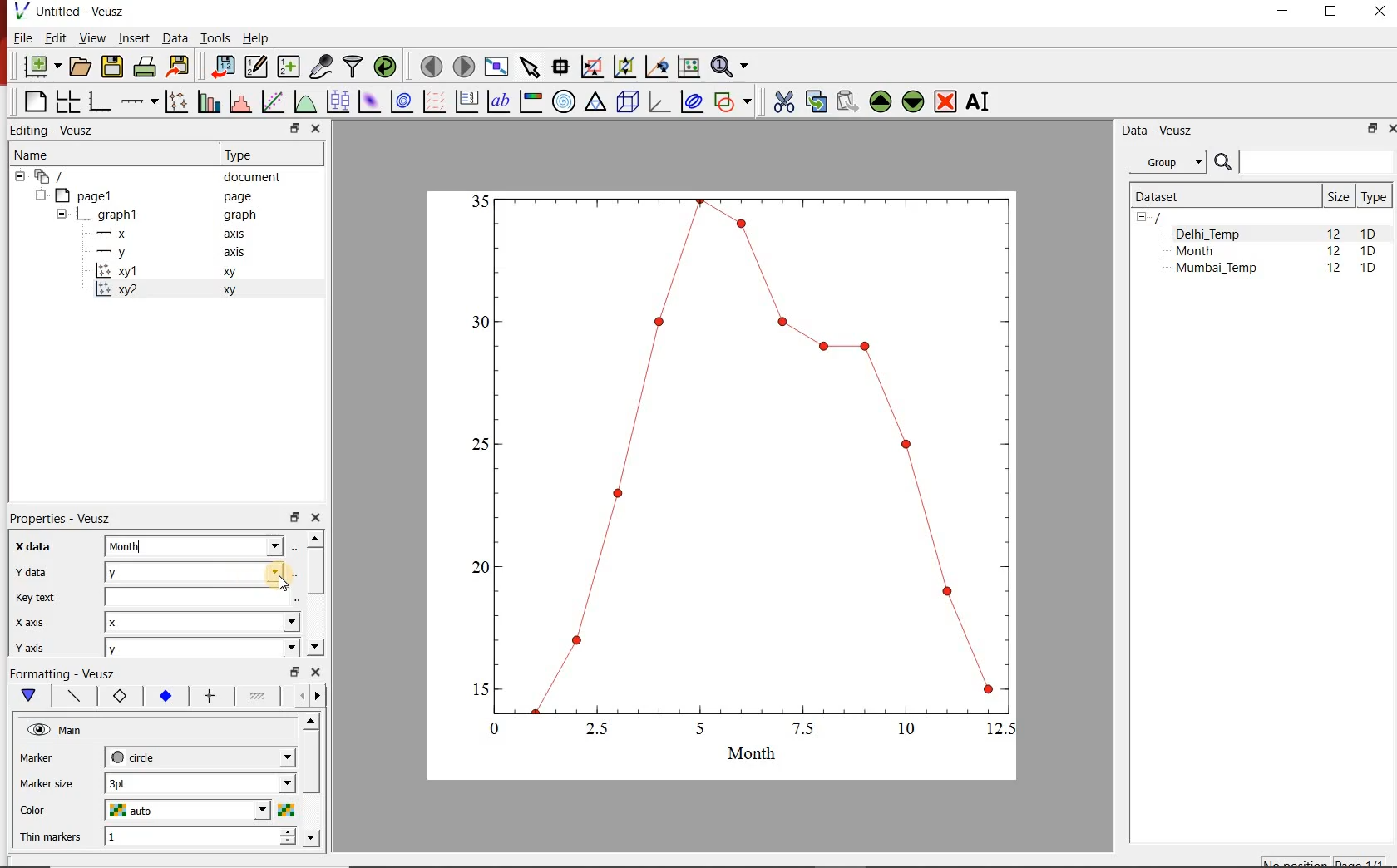 This screenshot has height=868, width=1397. I want to click on image color bar, so click(531, 101).